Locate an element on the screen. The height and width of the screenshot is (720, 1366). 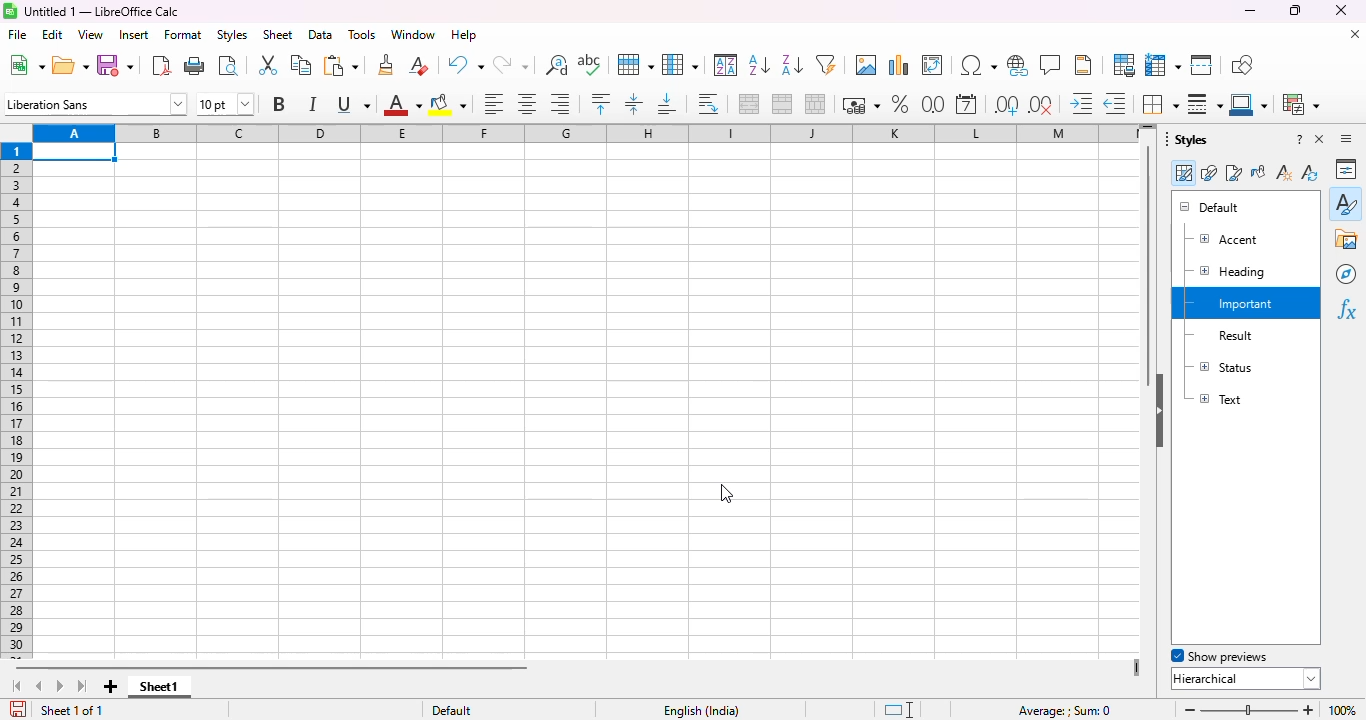
vertical scroll bar is located at coordinates (1149, 266).